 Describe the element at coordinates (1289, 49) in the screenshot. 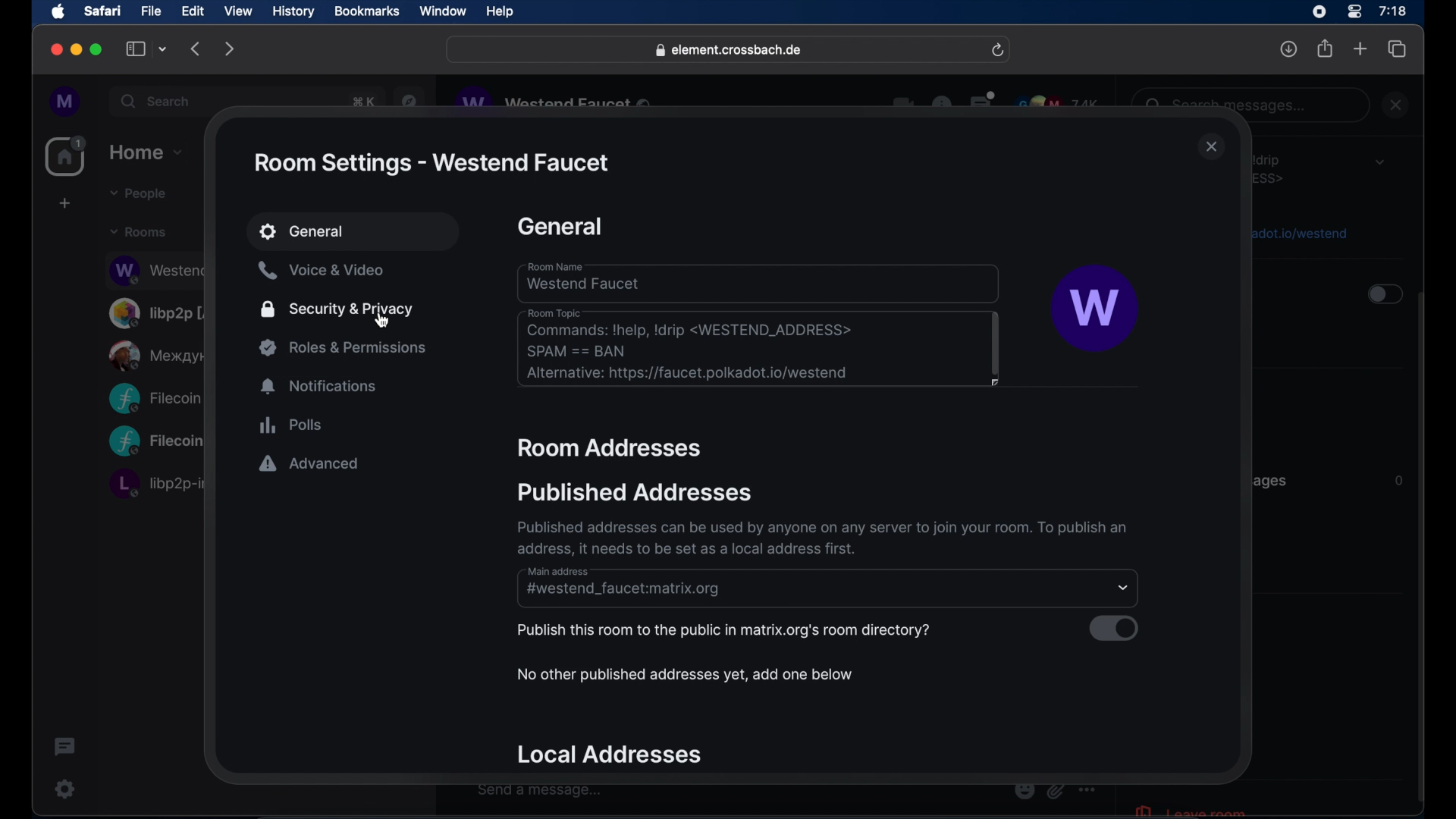

I see `downloads` at that location.